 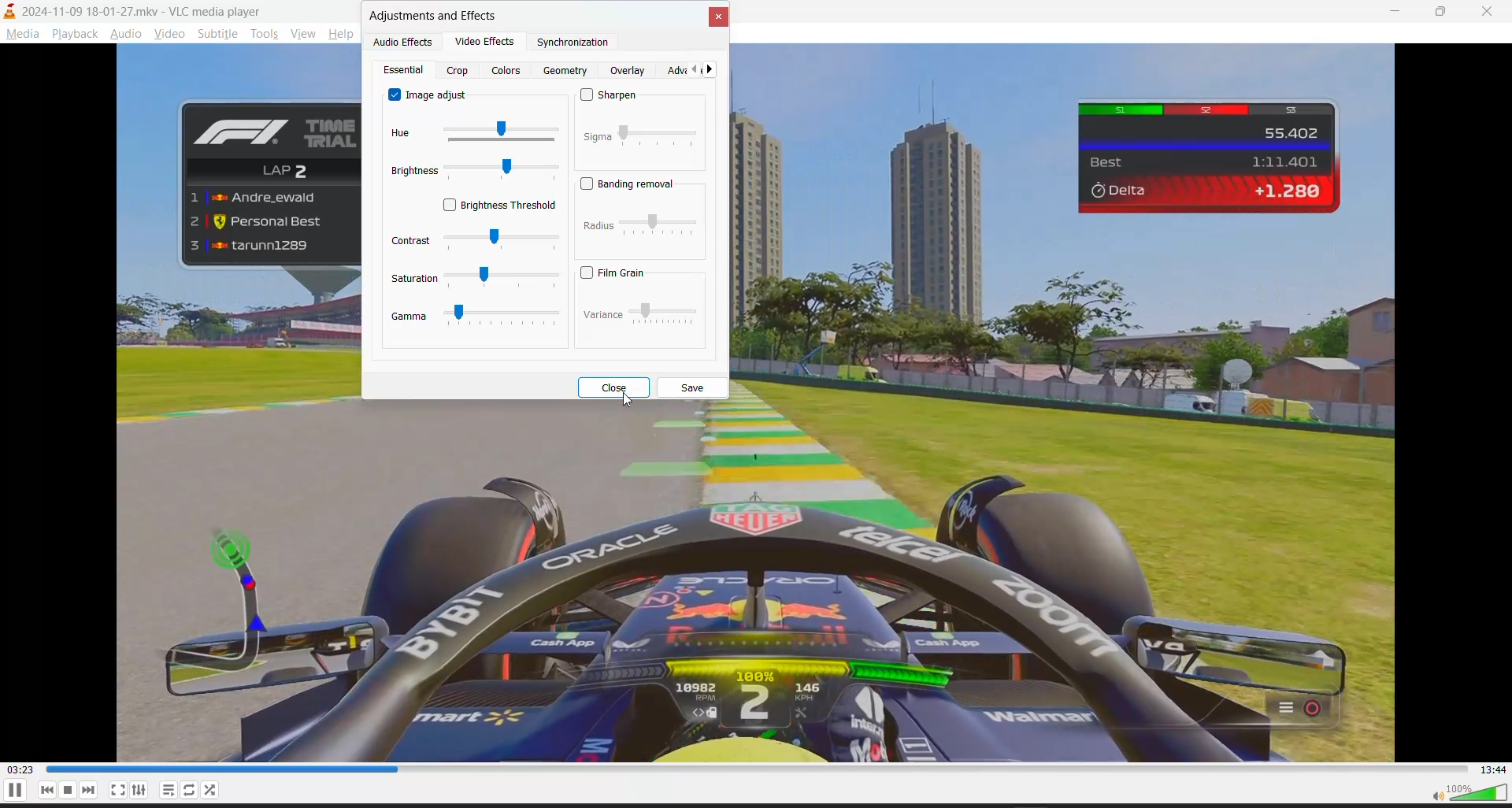 What do you see at coordinates (117, 791) in the screenshot?
I see `fullscreen` at bounding box center [117, 791].